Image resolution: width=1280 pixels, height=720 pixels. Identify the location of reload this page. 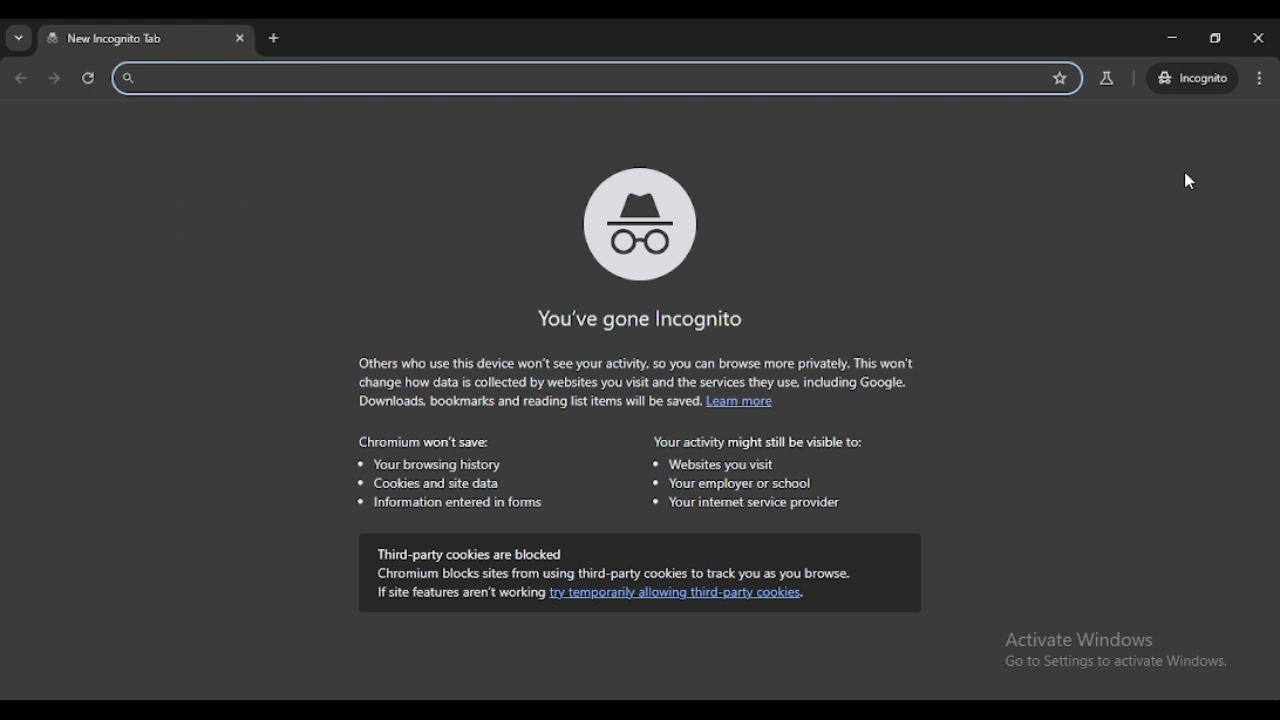
(89, 78).